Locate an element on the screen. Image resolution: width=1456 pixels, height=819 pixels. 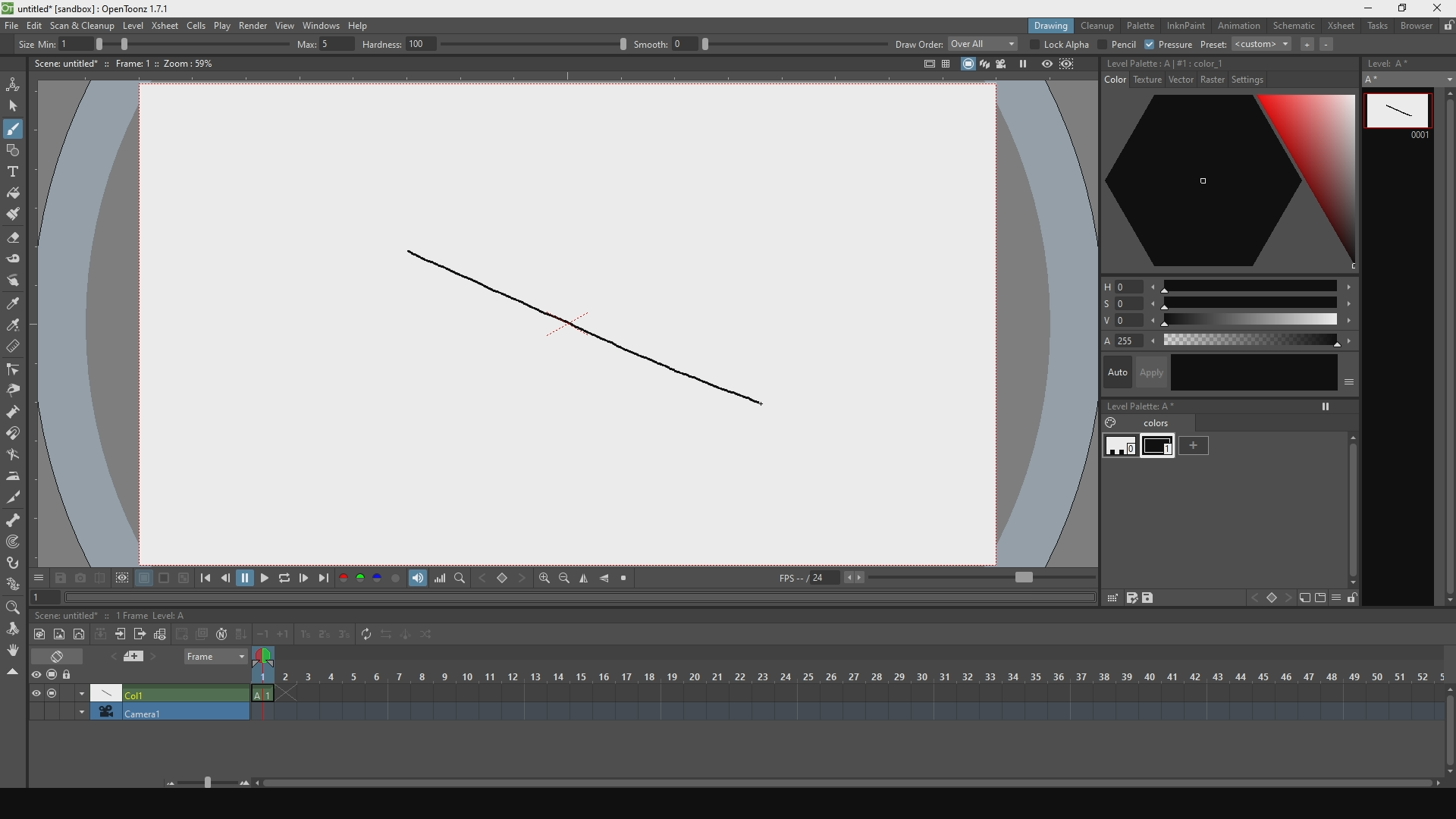
render is located at coordinates (252, 25).